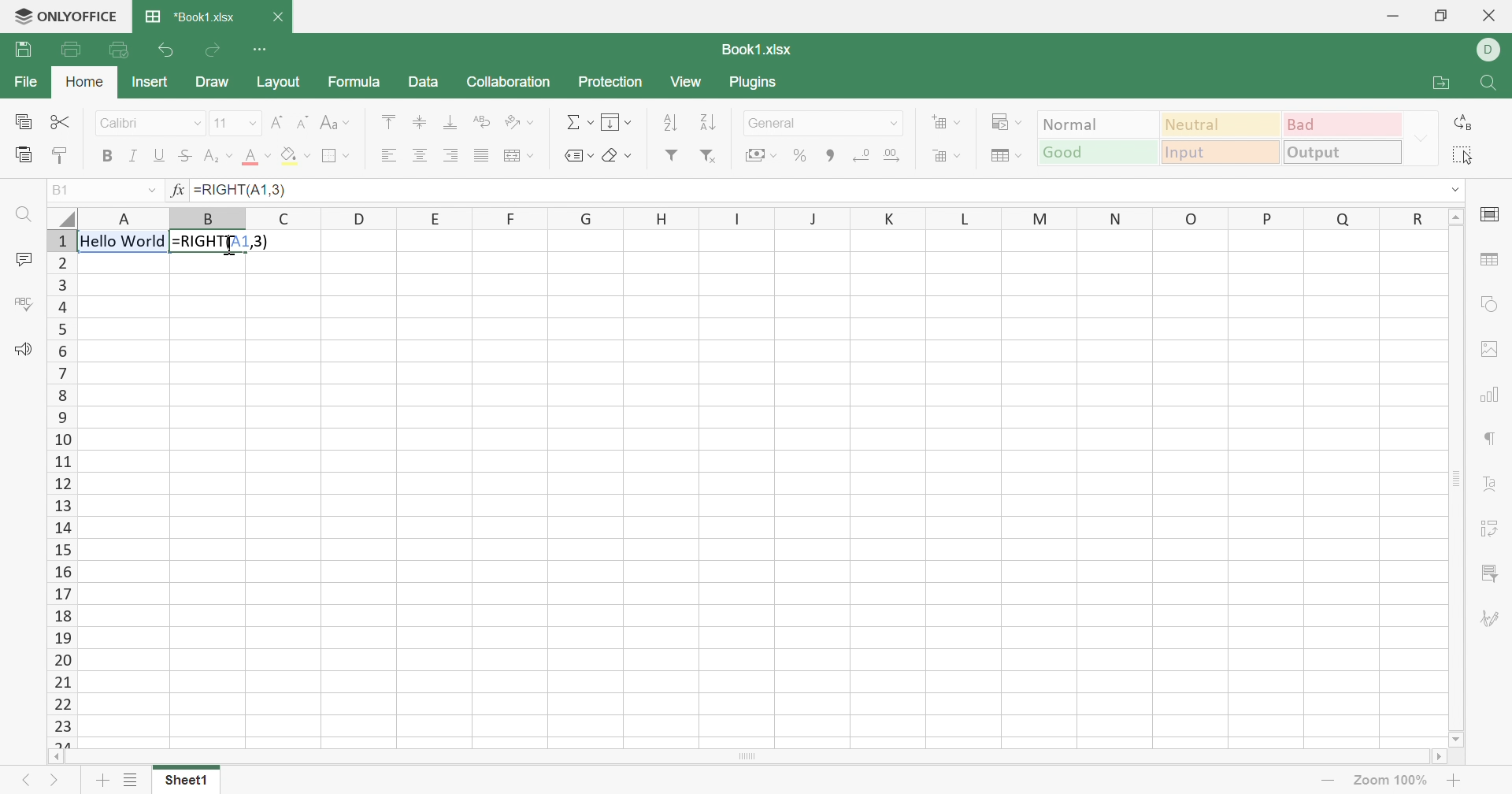 The image size is (1512, 794). Describe the element at coordinates (580, 158) in the screenshot. I see `Named ranges` at that location.